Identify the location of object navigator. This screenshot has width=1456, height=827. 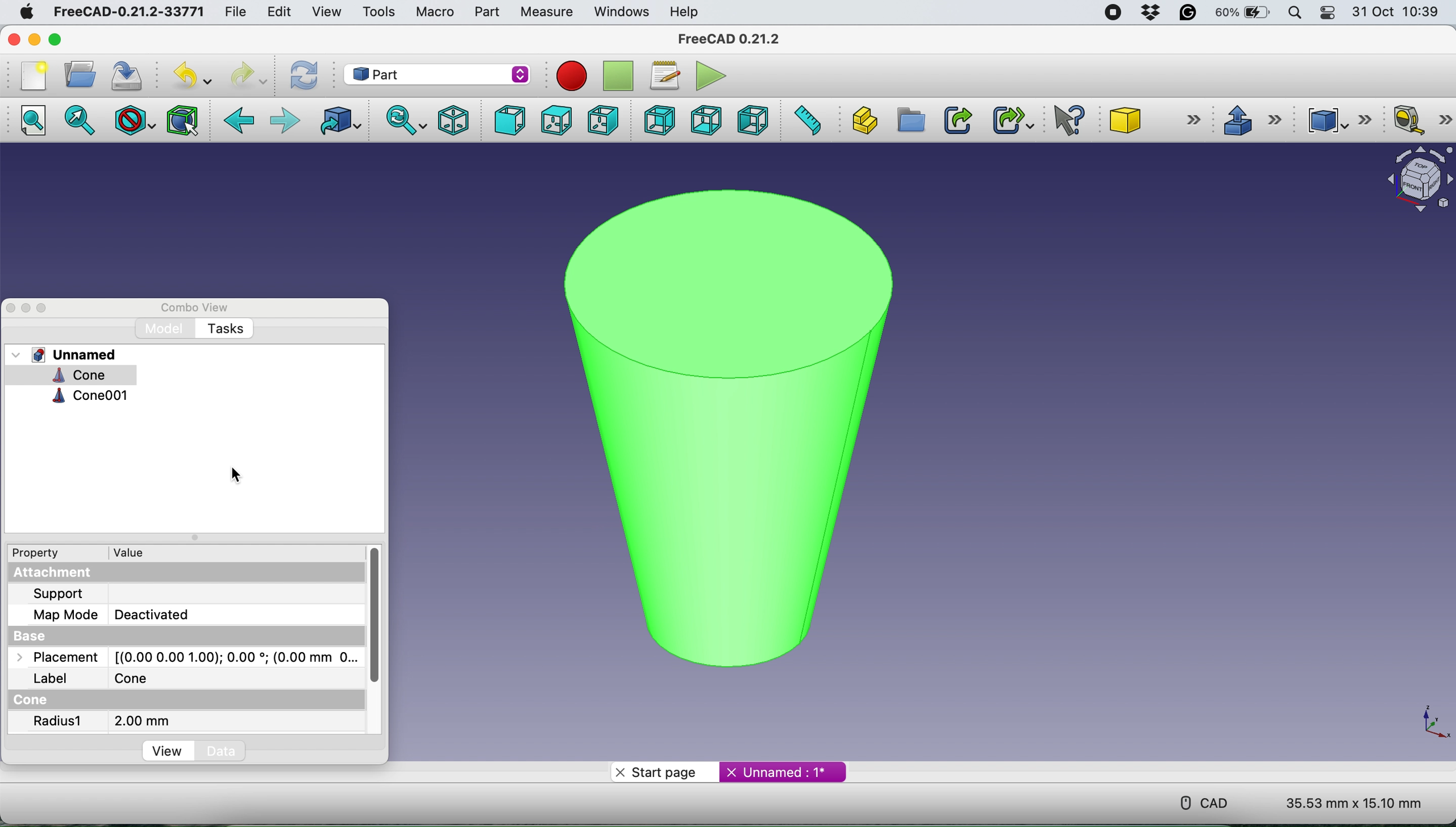
(1413, 179).